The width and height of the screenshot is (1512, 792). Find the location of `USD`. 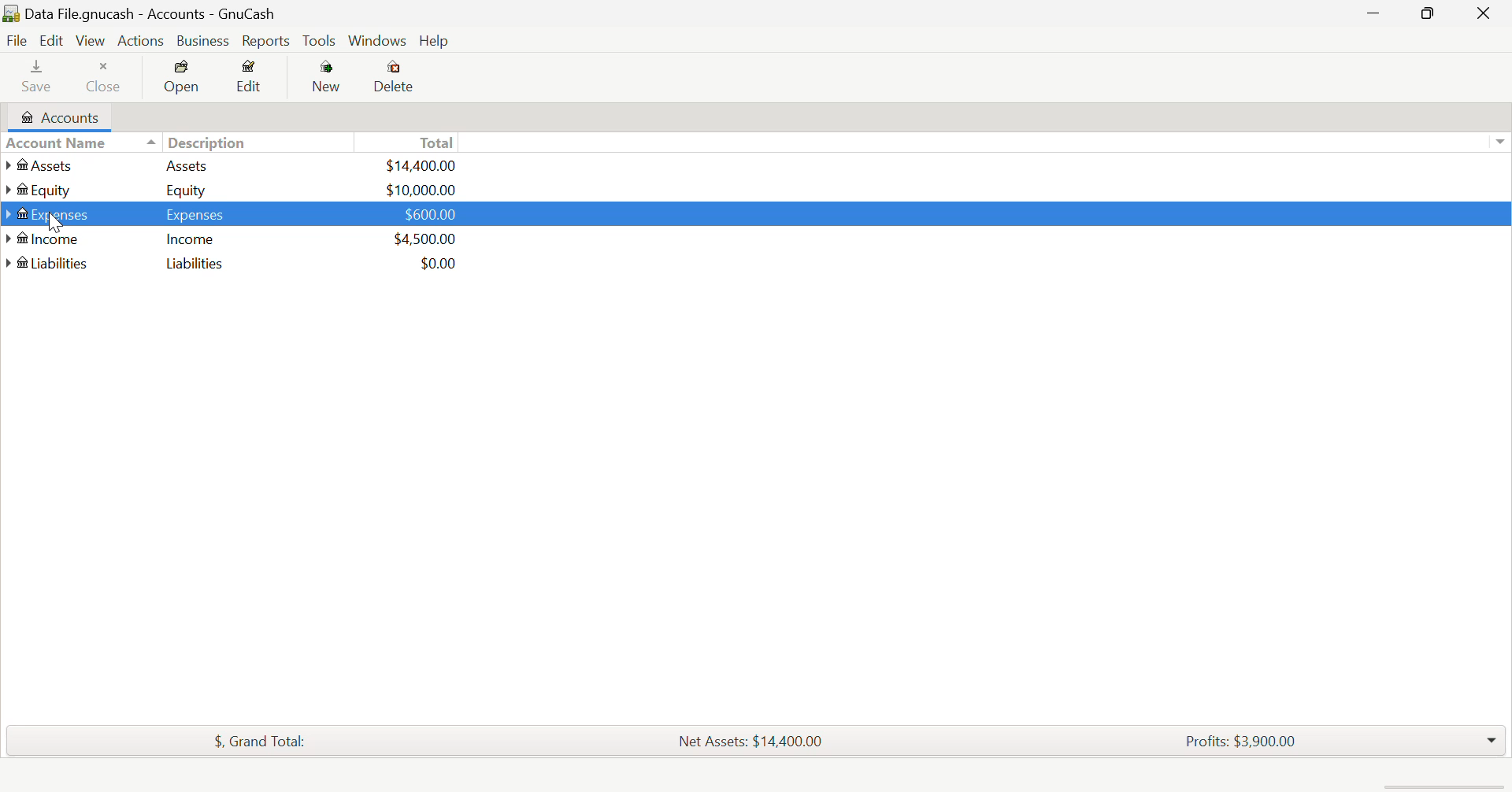

USD is located at coordinates (421, 166).